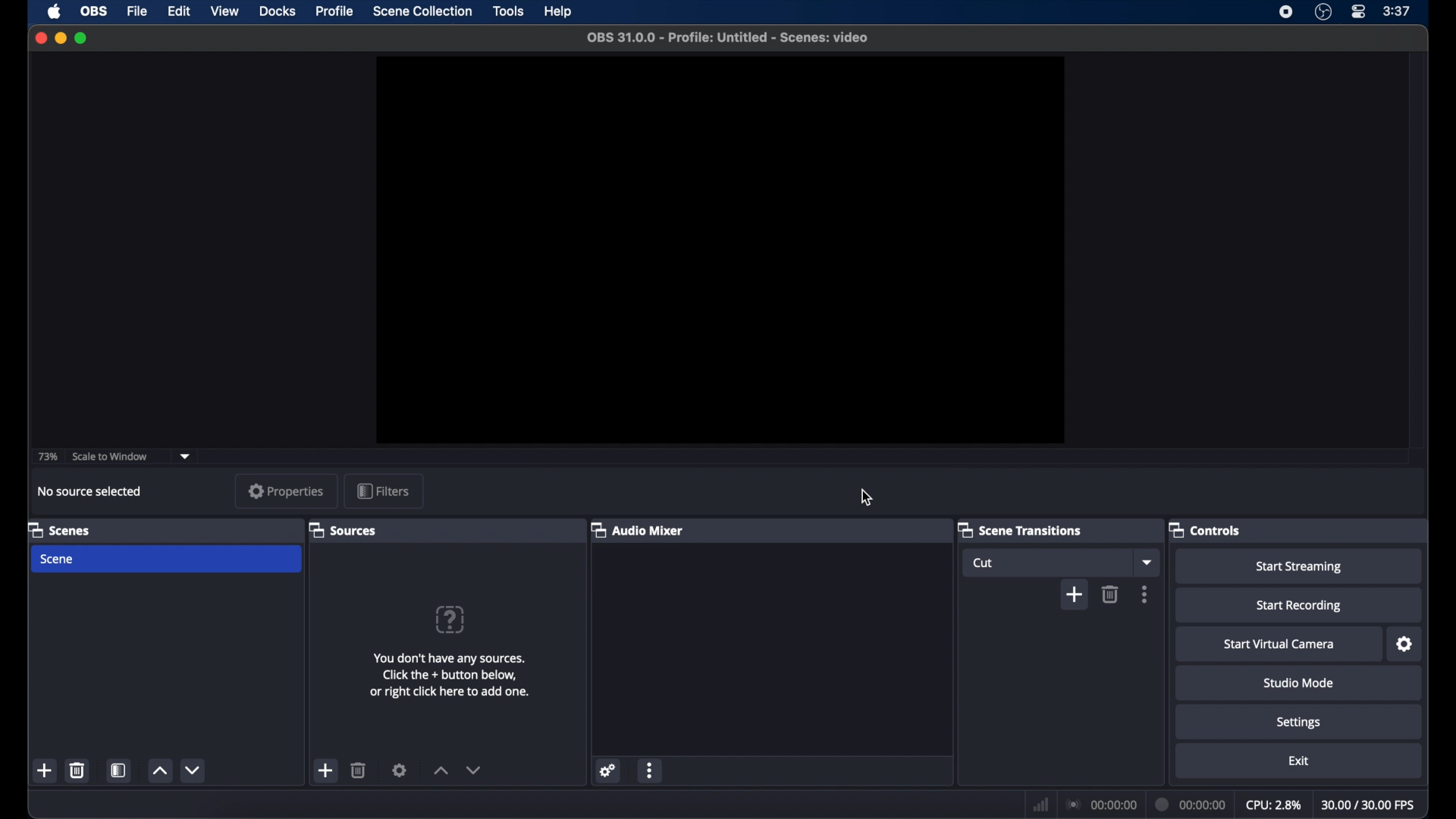  Describe the element at coordinates (868, 497) in the screenshot. I see `cursor` at that location.